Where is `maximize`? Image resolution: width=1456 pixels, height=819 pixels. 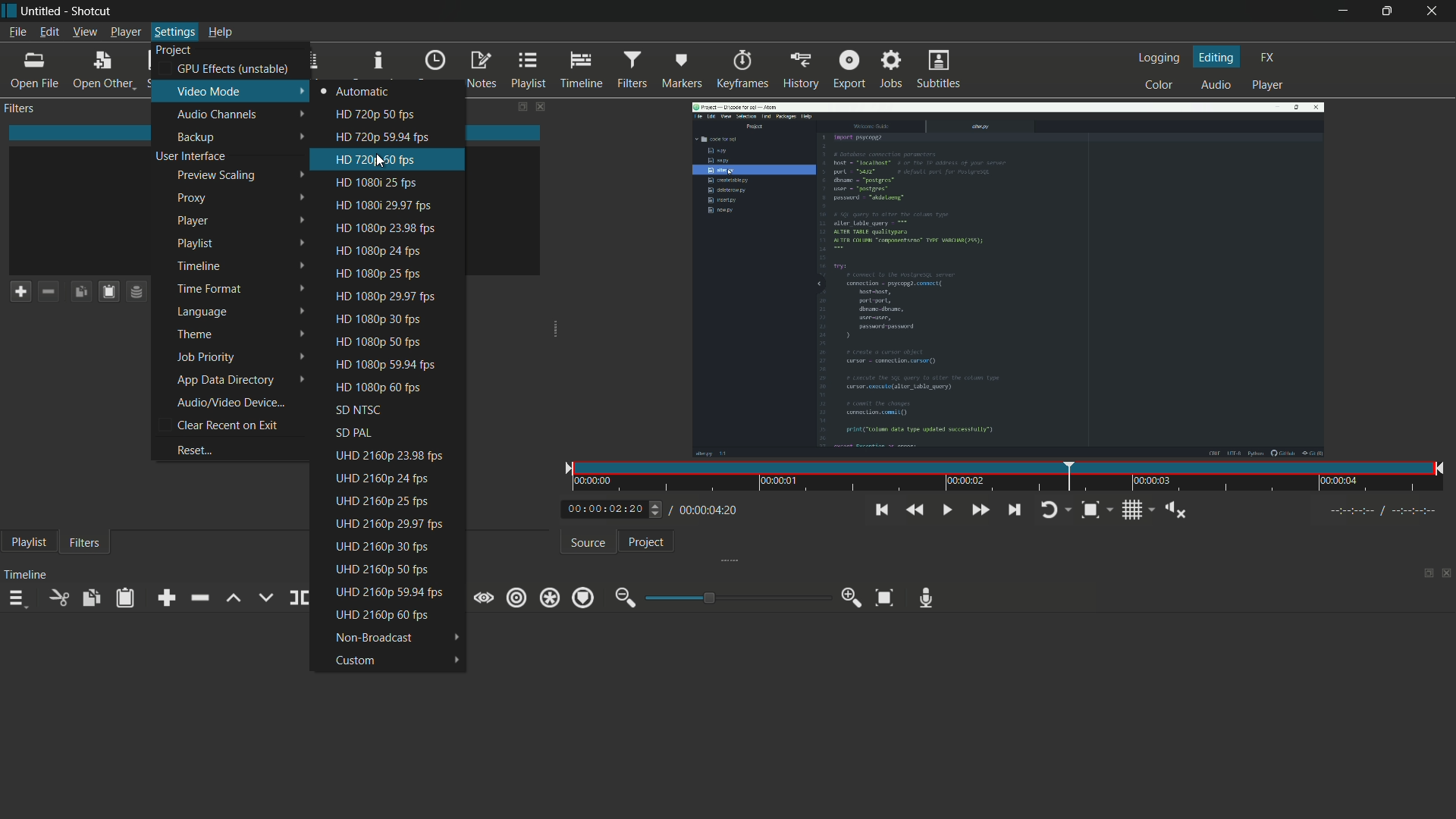 maximize is located at coordinates (1387, 11).